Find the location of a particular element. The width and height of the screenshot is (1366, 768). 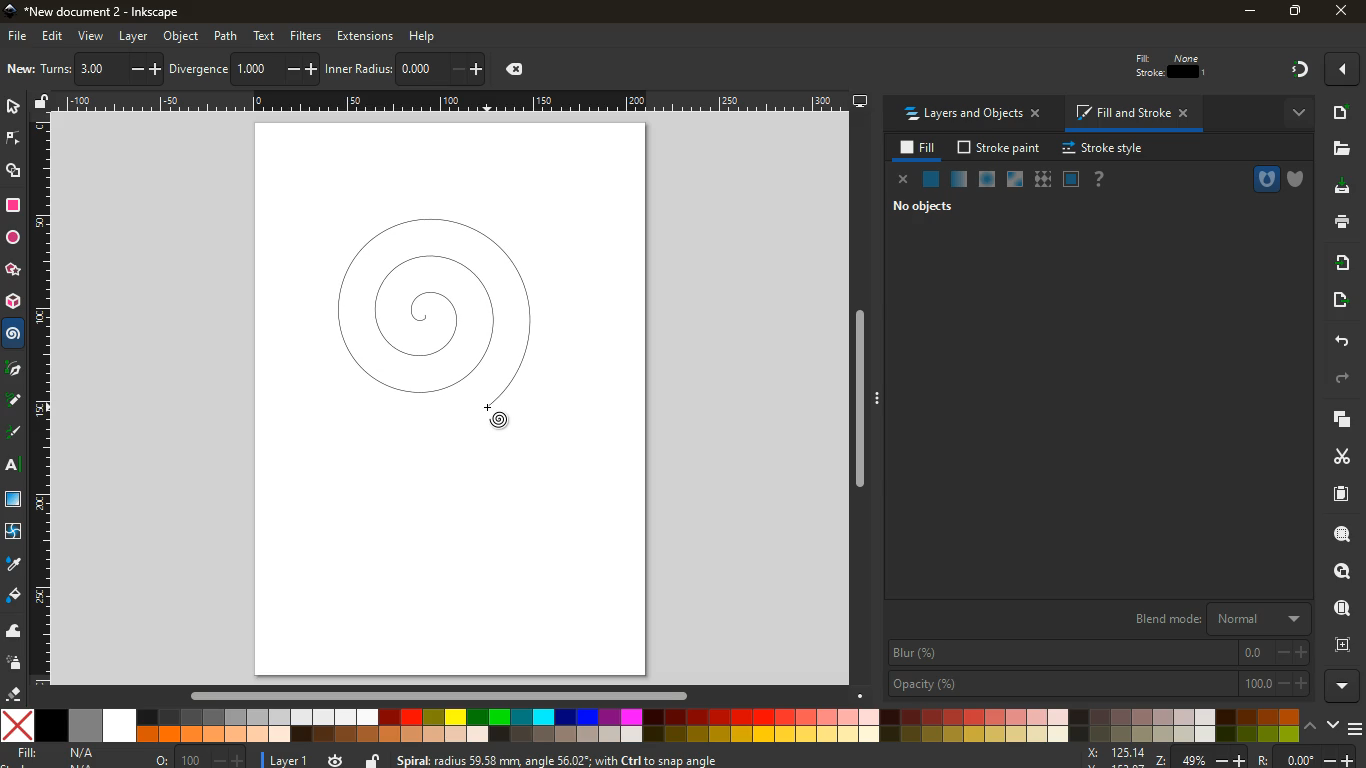

drop is located at coordinates (14, 566).